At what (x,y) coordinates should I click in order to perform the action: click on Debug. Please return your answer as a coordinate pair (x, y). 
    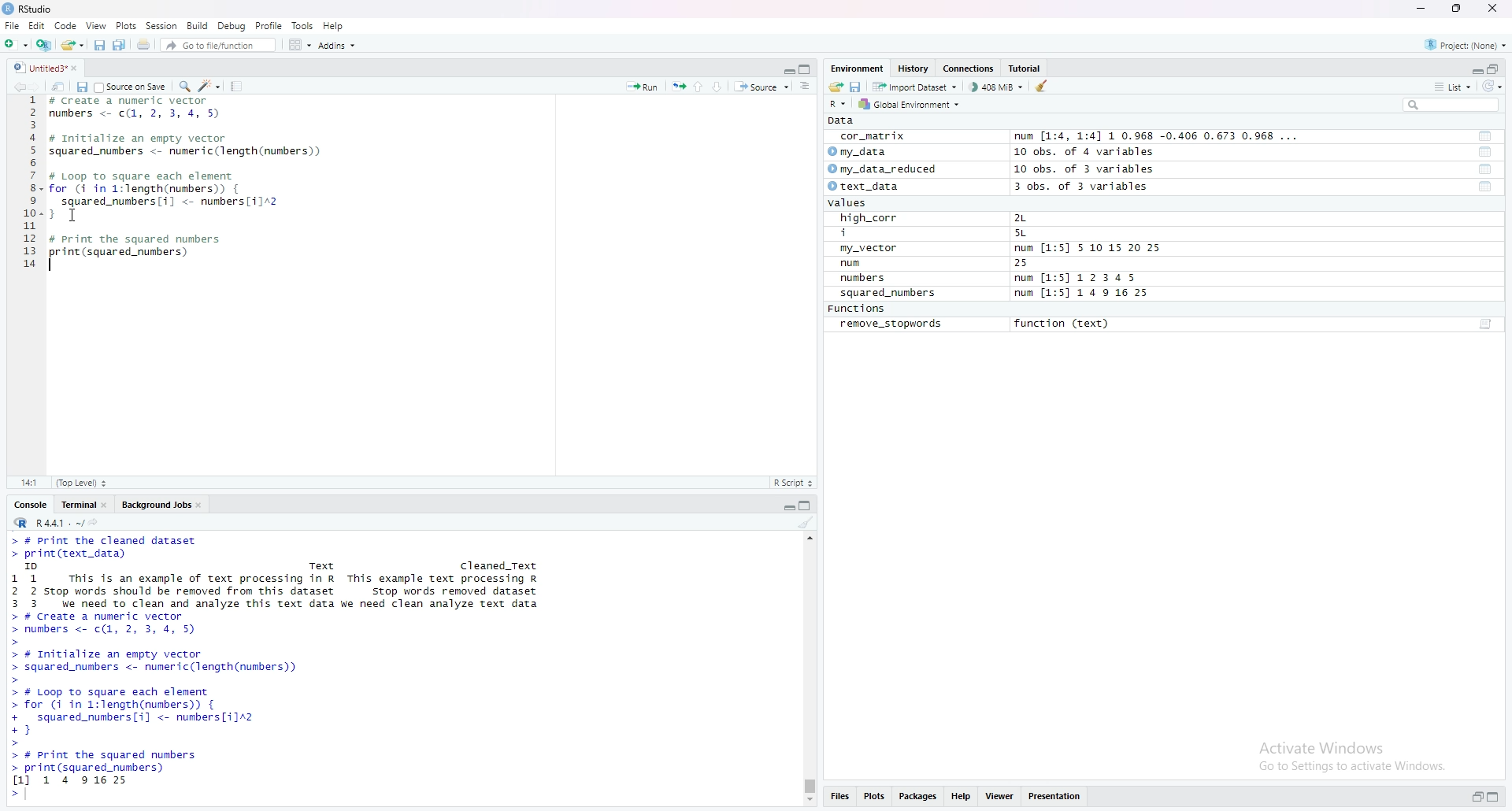
    Looking at the image, I should click on (232, 25).